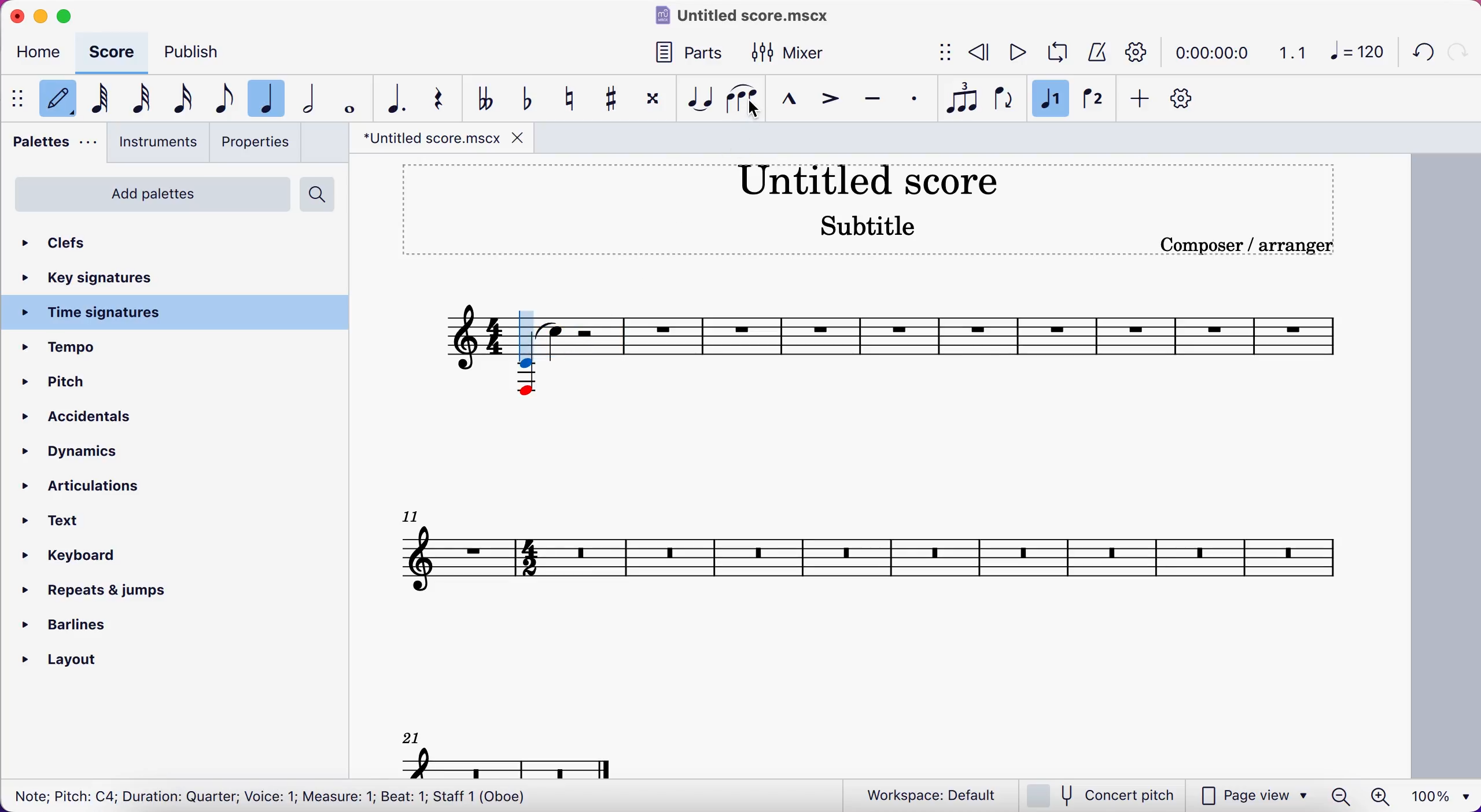 This screenshot has width=1481, height=812. Describe the element at coordinates (572, 99) in the screenshot. I see `toggle natural` at that location.